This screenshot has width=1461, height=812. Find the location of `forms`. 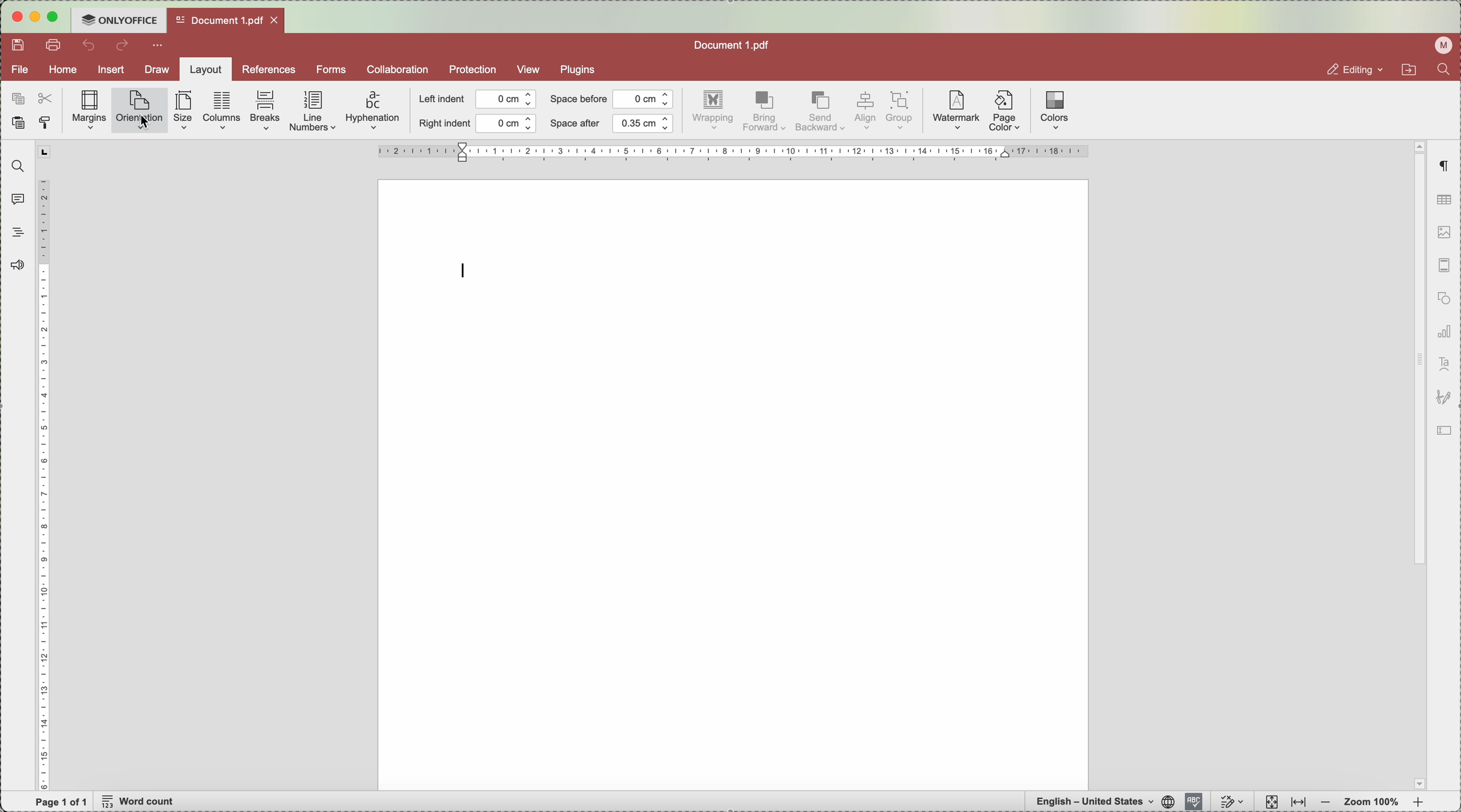

forms is located at coordinates (331, 69).